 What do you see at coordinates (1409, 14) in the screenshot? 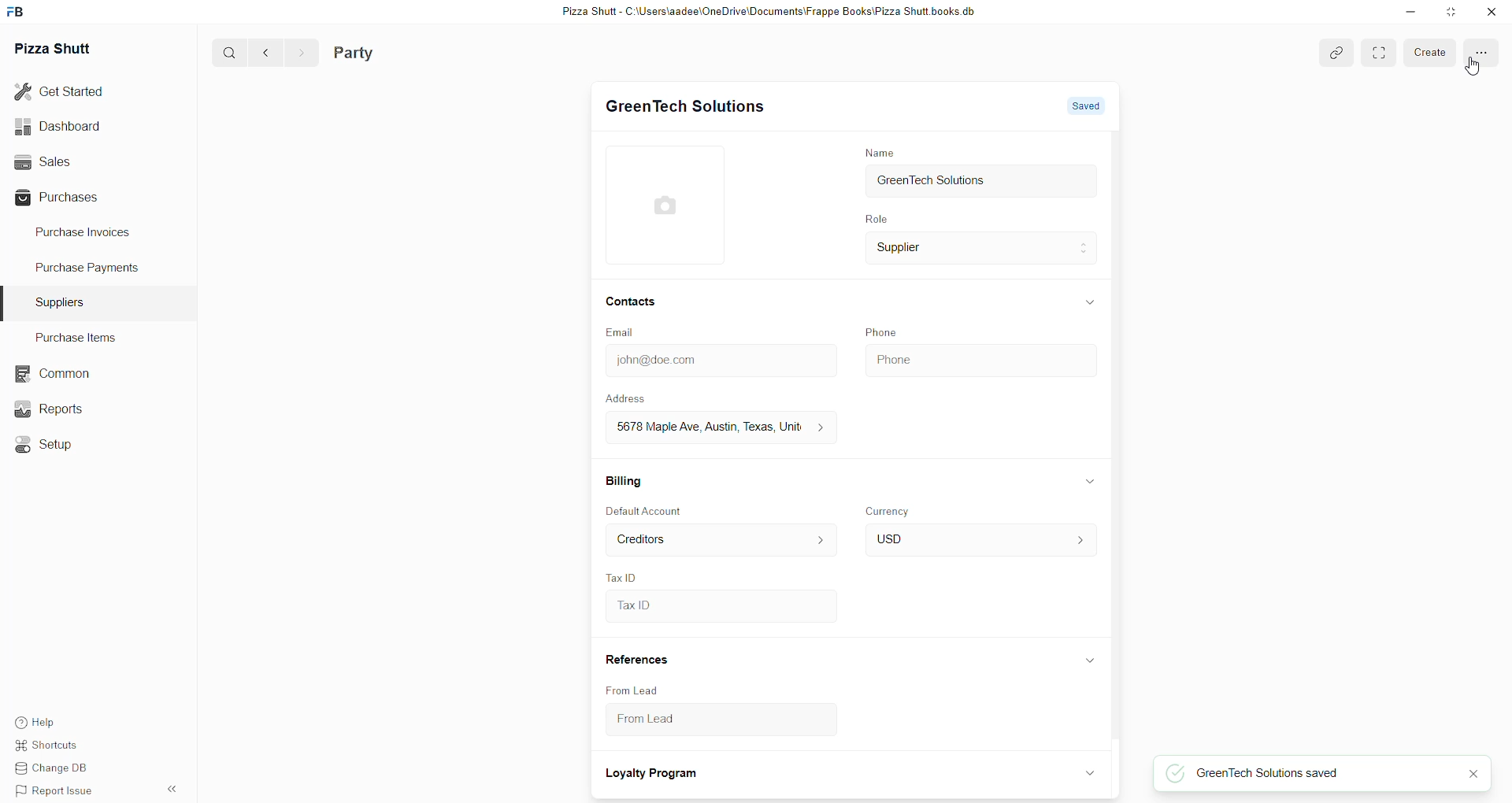
I see `minimize` at bounding box center [1409, 14].